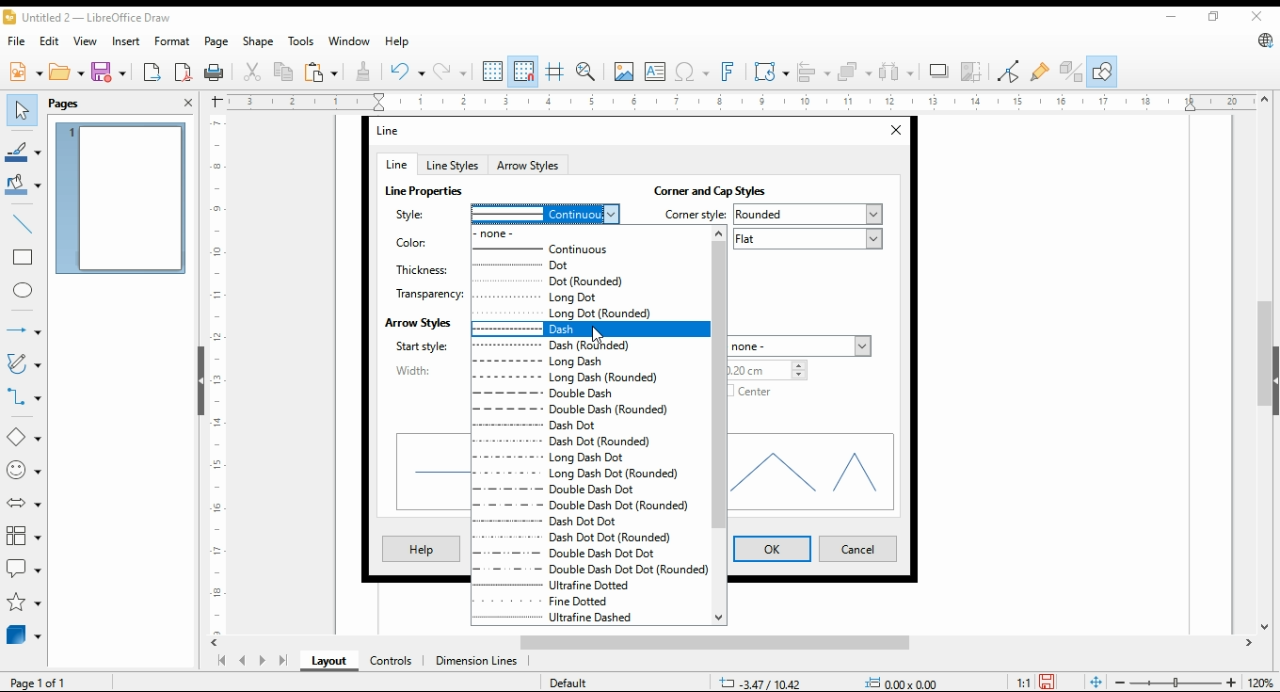  Describe the element at coordinates (492, 71) in the screenshot. I see `show grids` at that location.